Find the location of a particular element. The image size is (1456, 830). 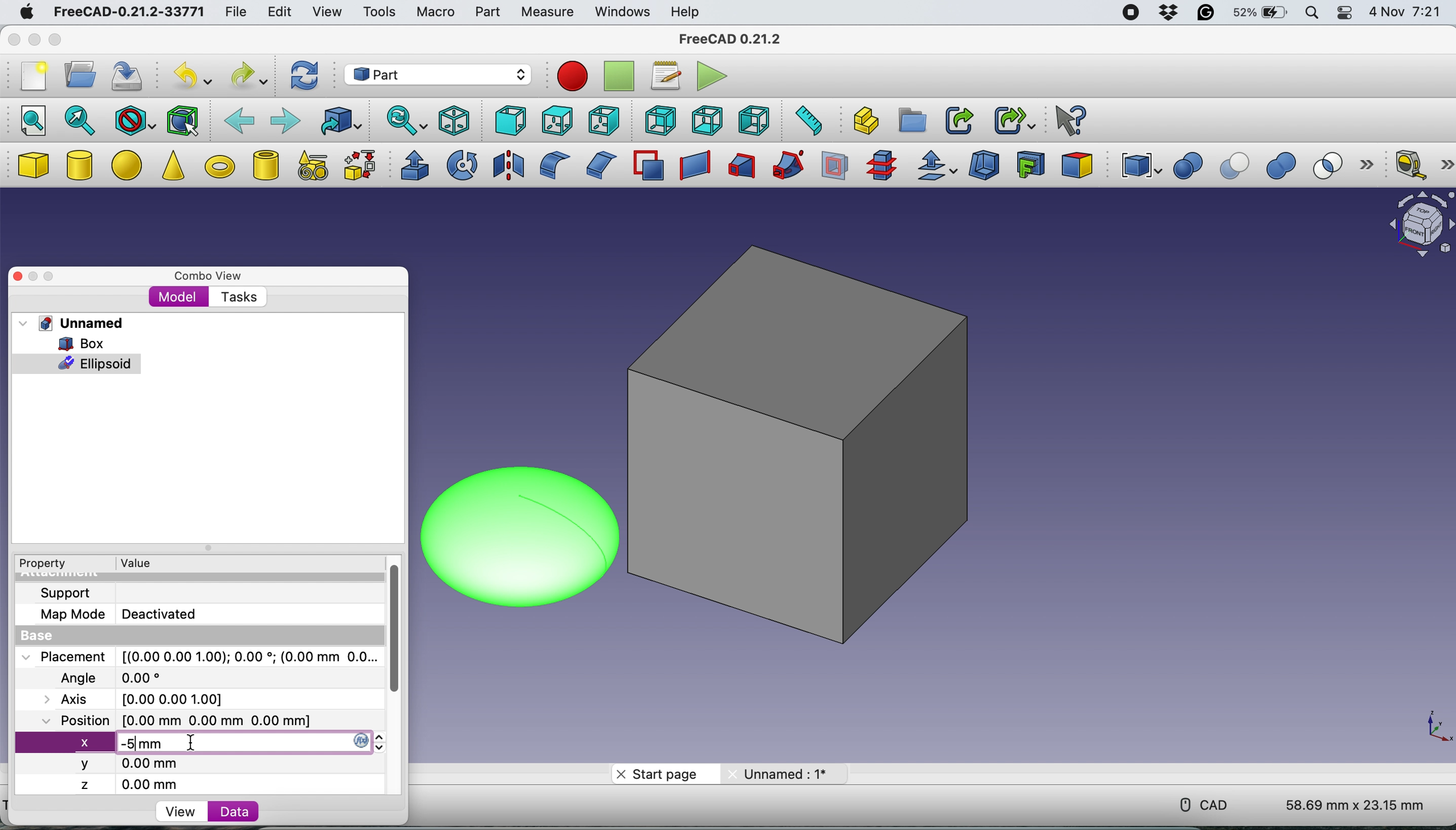

ellipsoid is located at coordinates (520, 538).